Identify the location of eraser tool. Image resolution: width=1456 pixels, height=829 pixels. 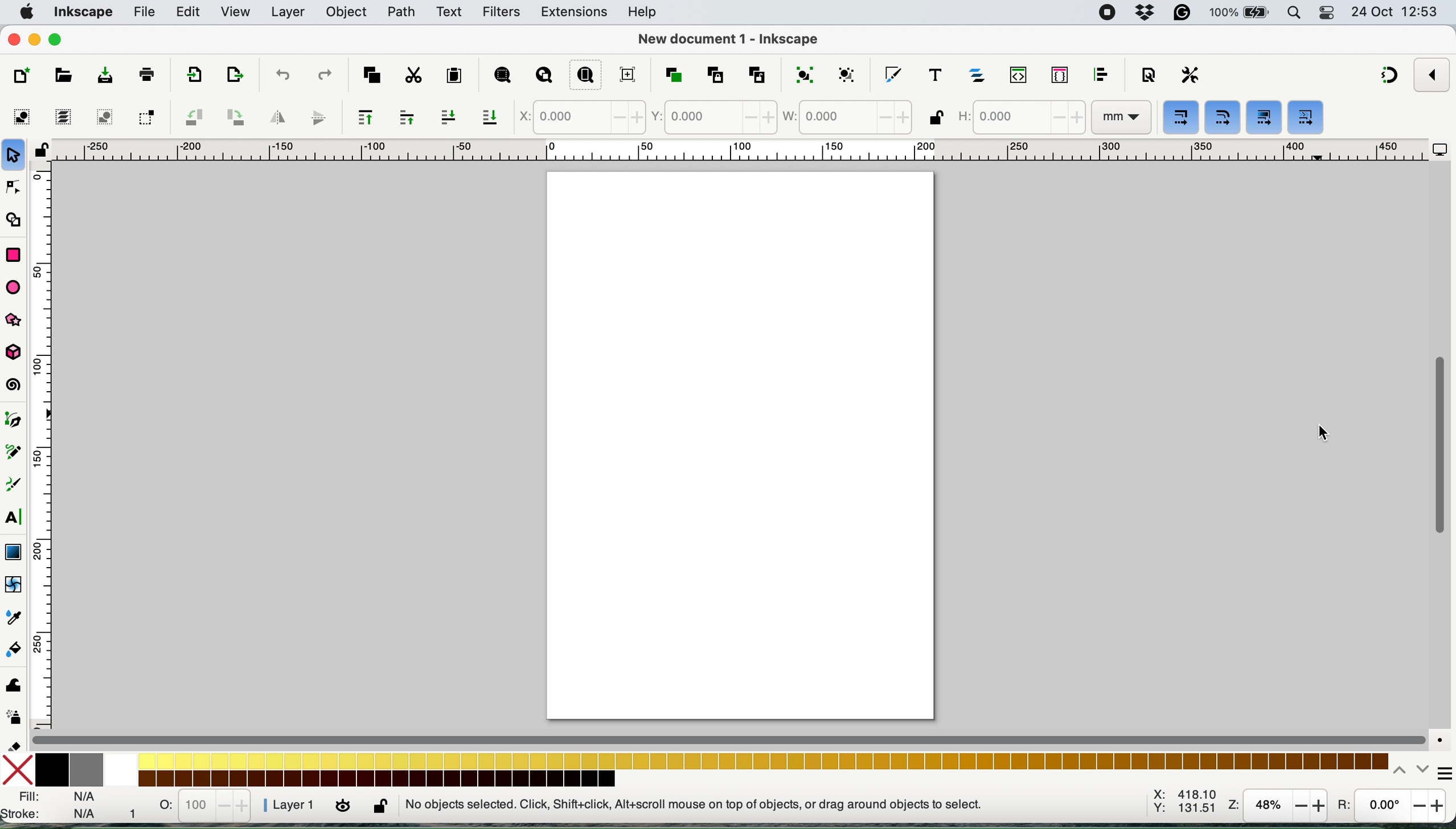
(15, 742).